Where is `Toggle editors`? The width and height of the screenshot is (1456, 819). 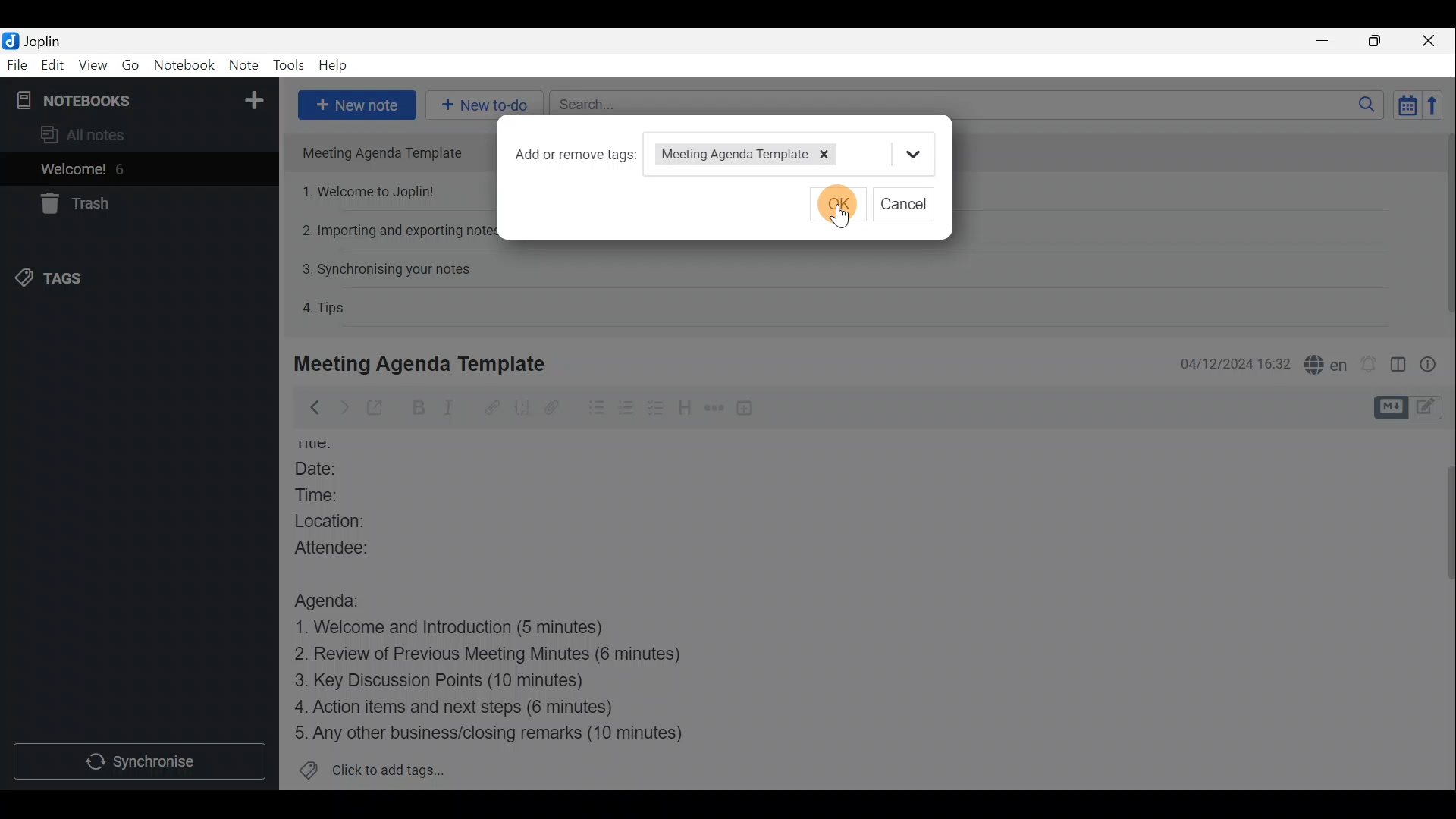 Toggle editors is located at coordinates (1389, 408).